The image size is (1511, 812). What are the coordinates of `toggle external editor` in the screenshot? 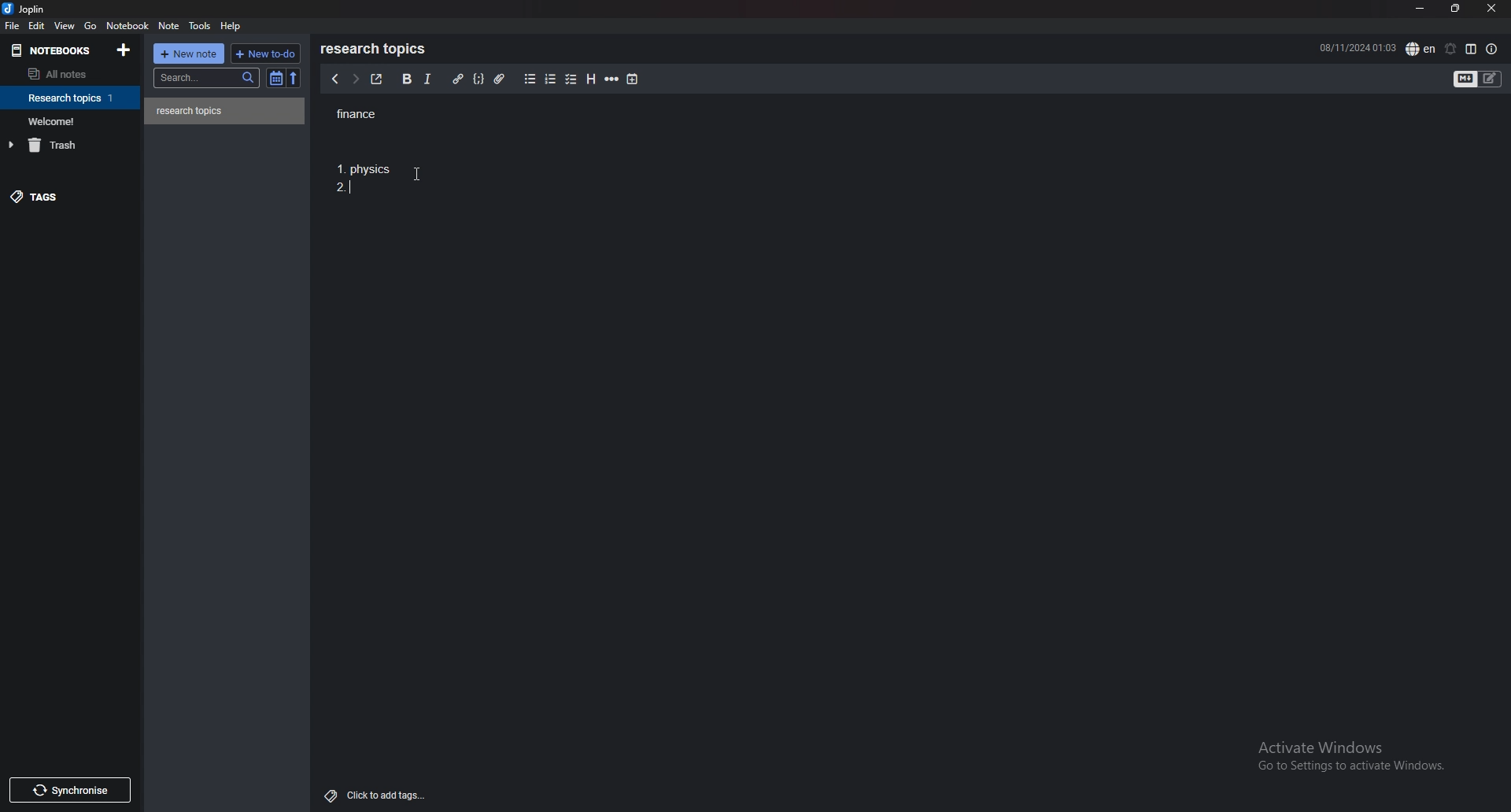 It's located at (375, 79).